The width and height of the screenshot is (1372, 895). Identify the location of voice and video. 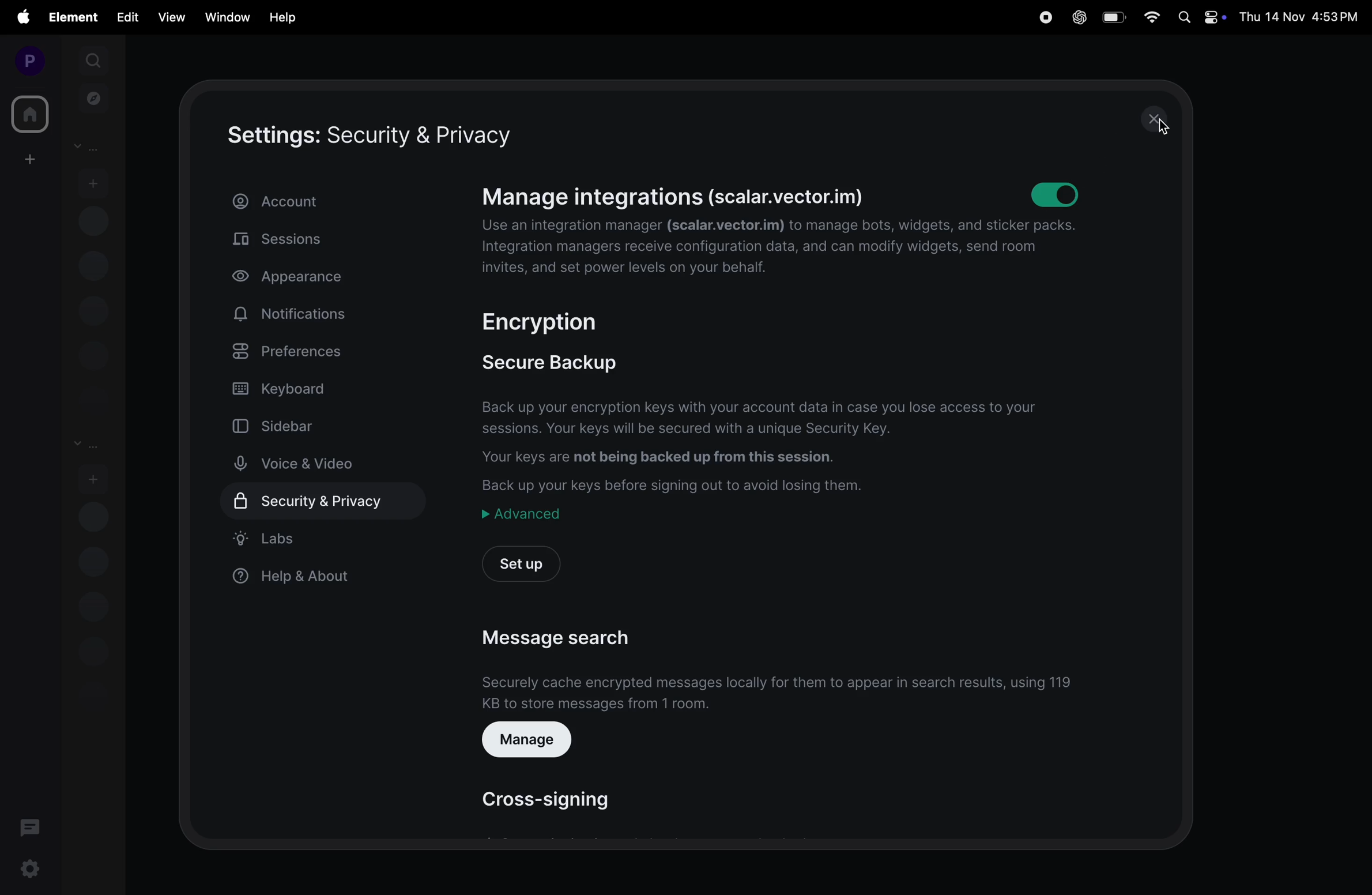
(309, 465).